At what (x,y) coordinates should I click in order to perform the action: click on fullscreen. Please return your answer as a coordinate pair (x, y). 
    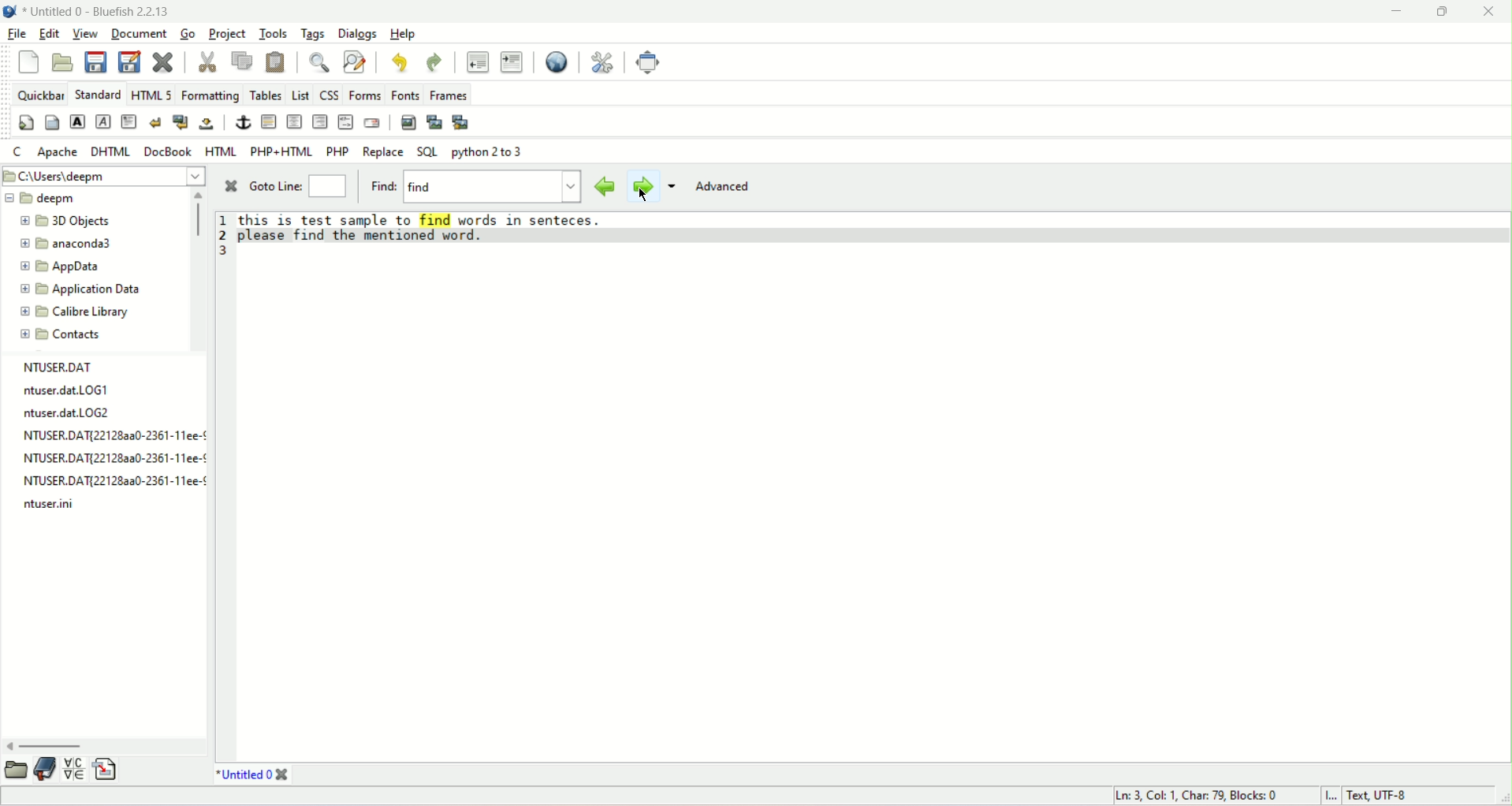
    Looking at the image, I should click on (654, 62).